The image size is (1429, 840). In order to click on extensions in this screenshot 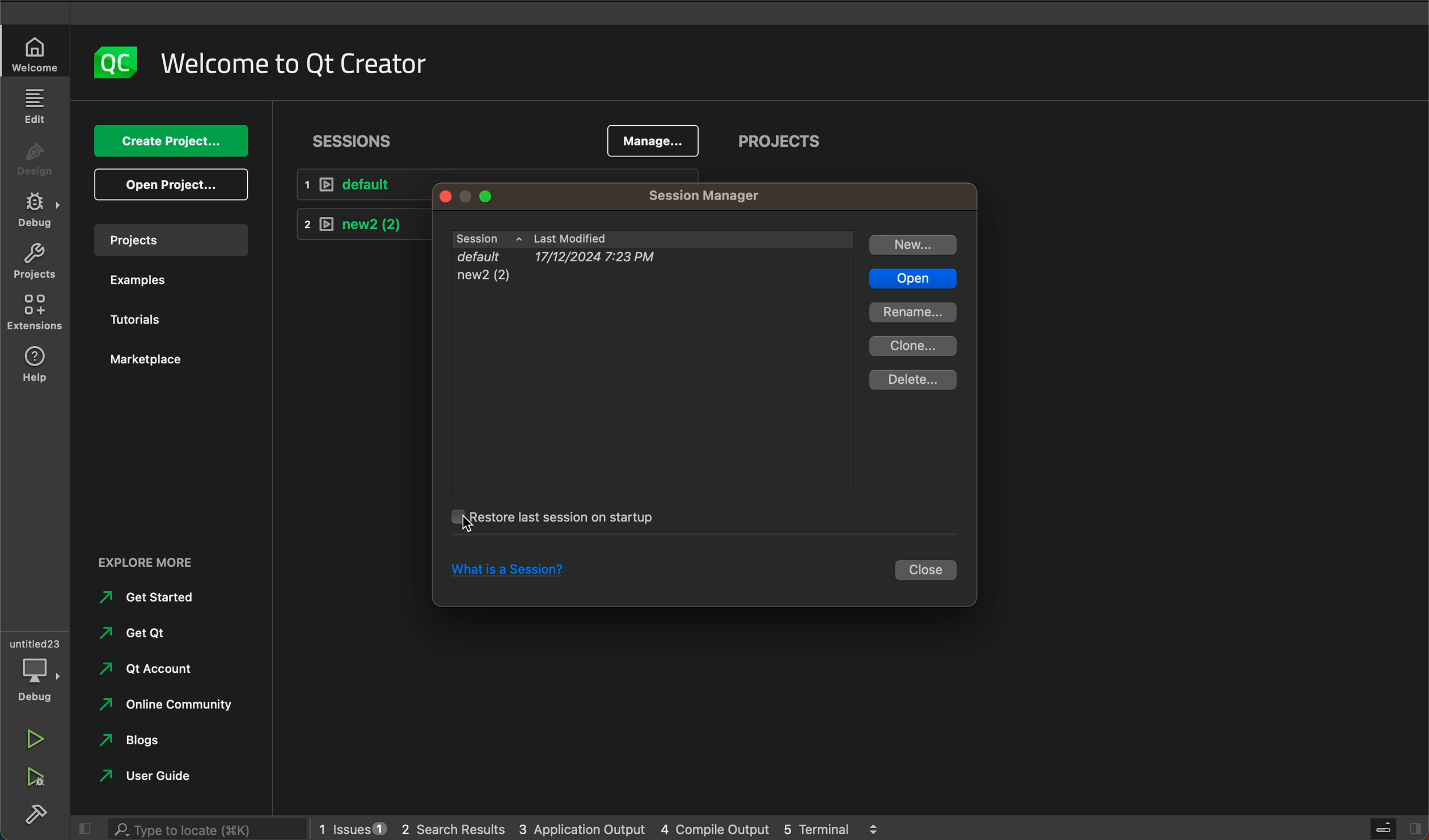, I will do `click(38, 314)`.